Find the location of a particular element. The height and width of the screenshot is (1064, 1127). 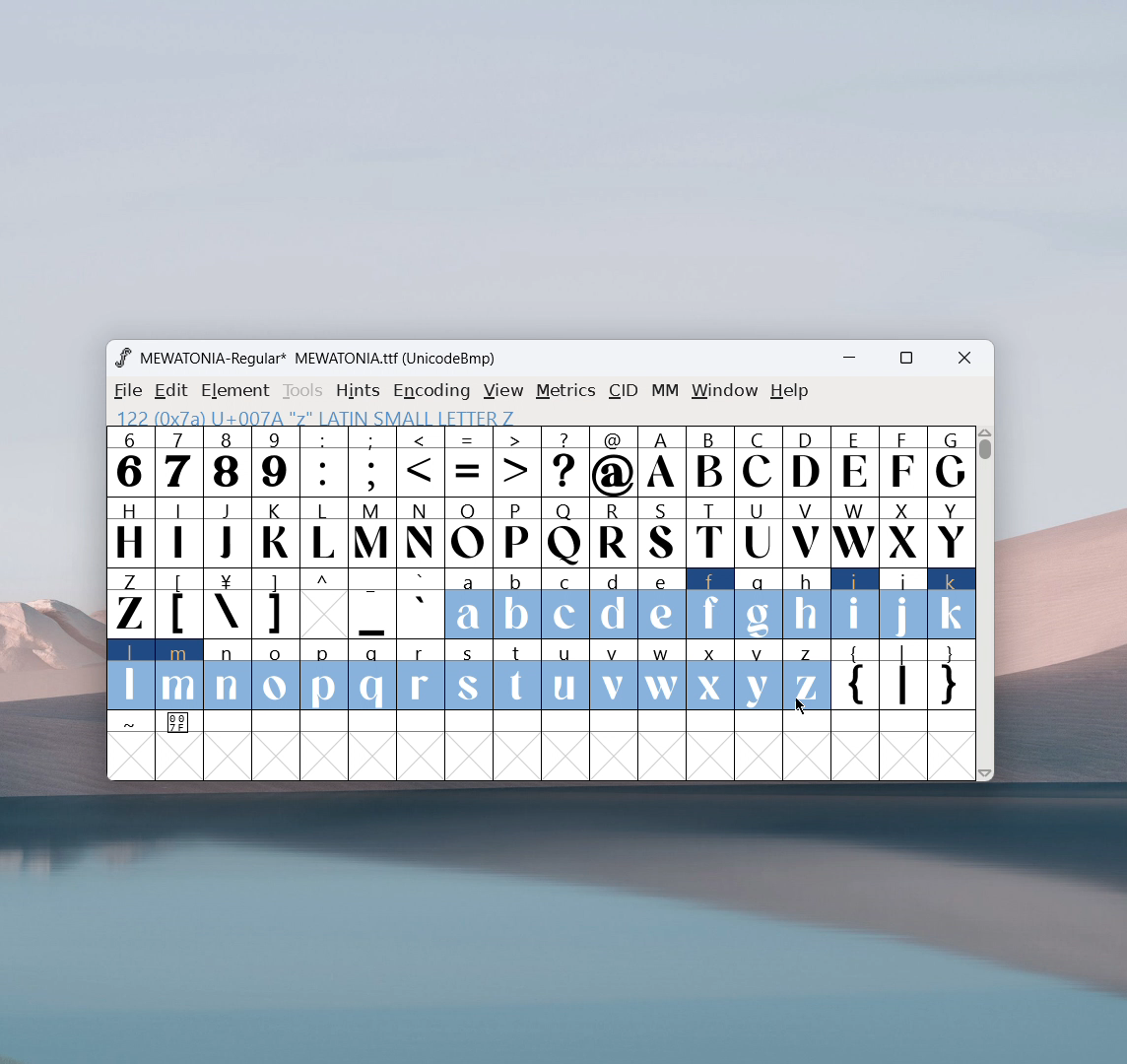

H is located at coordinates (129, 530).